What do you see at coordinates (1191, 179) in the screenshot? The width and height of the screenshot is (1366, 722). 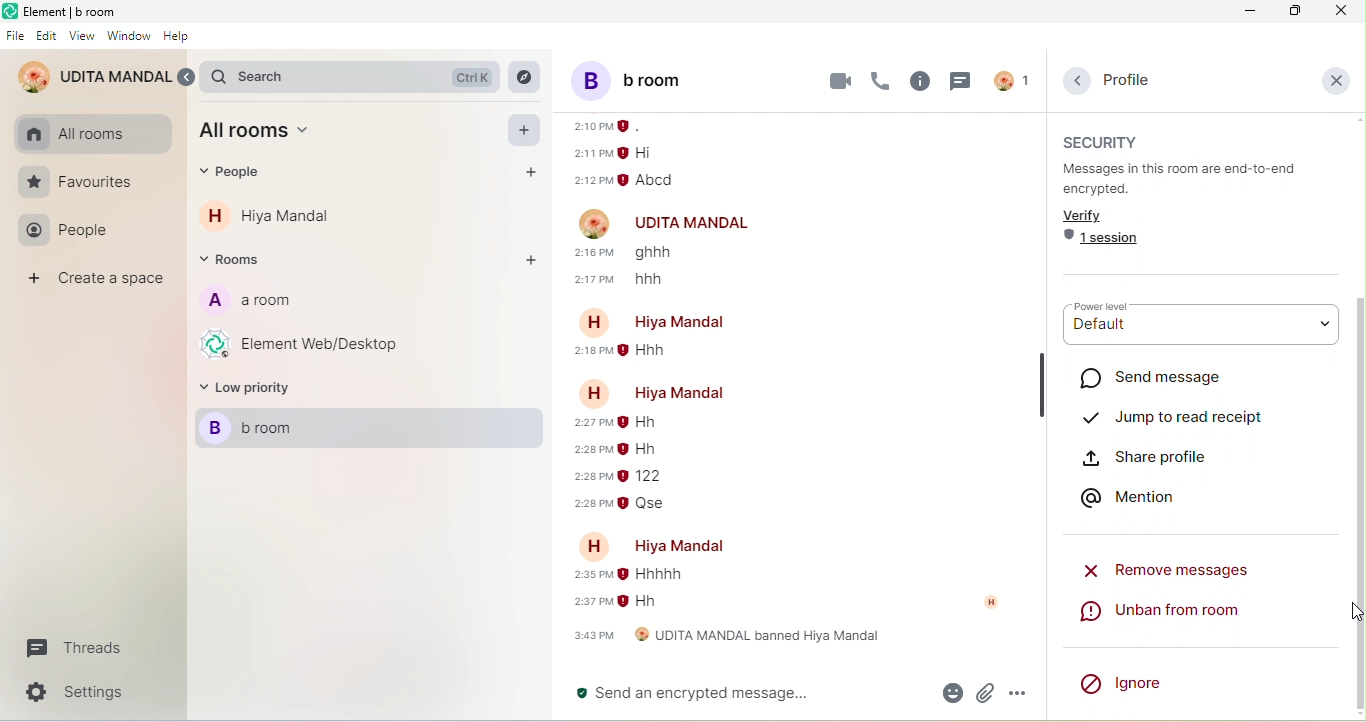 I see `messages in this room are end to end encrypted` at bounding box center [1191, 179].